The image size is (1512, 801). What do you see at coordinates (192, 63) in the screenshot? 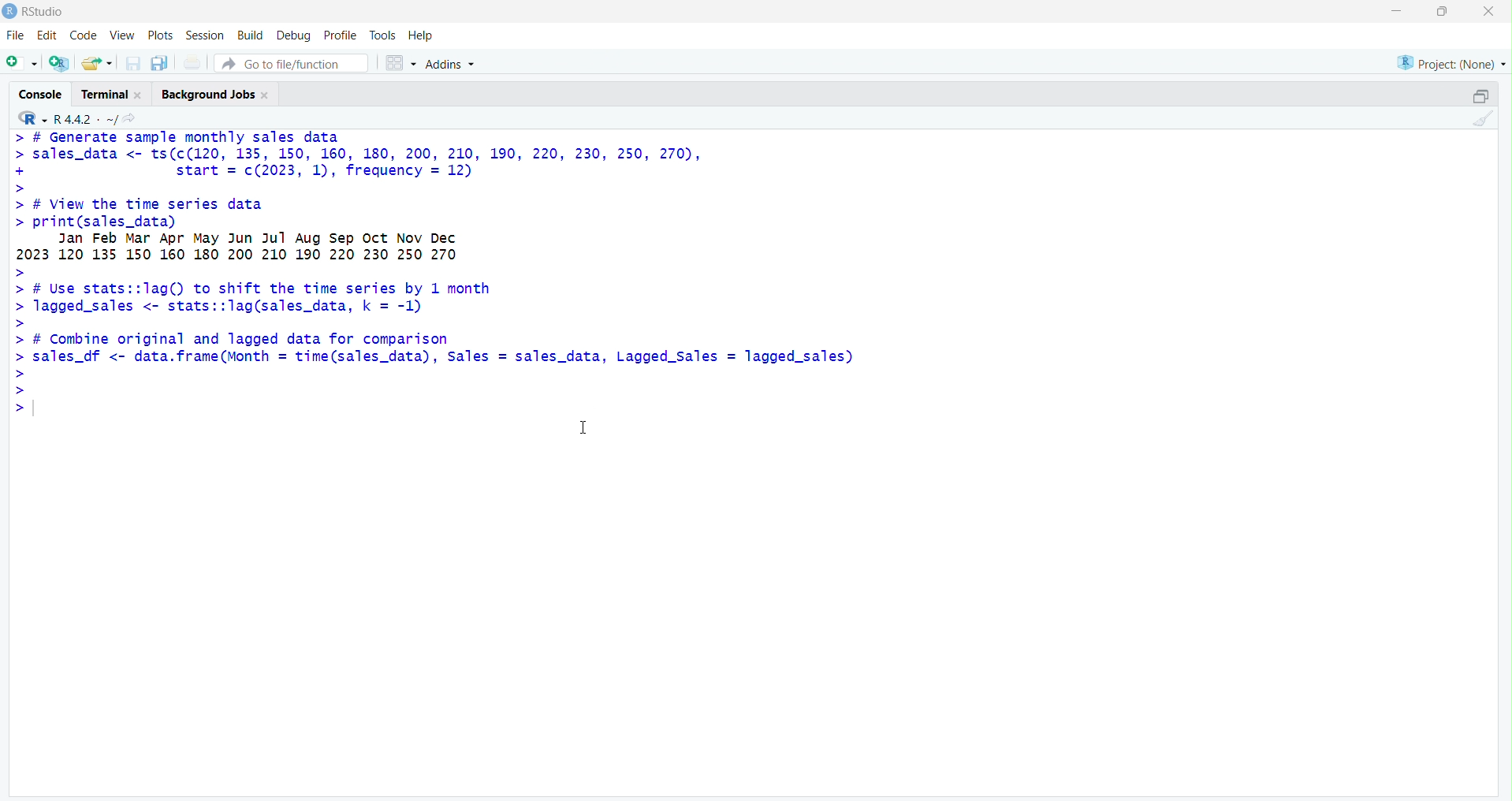
I see `print the current file` at bounding box center [192, 63].